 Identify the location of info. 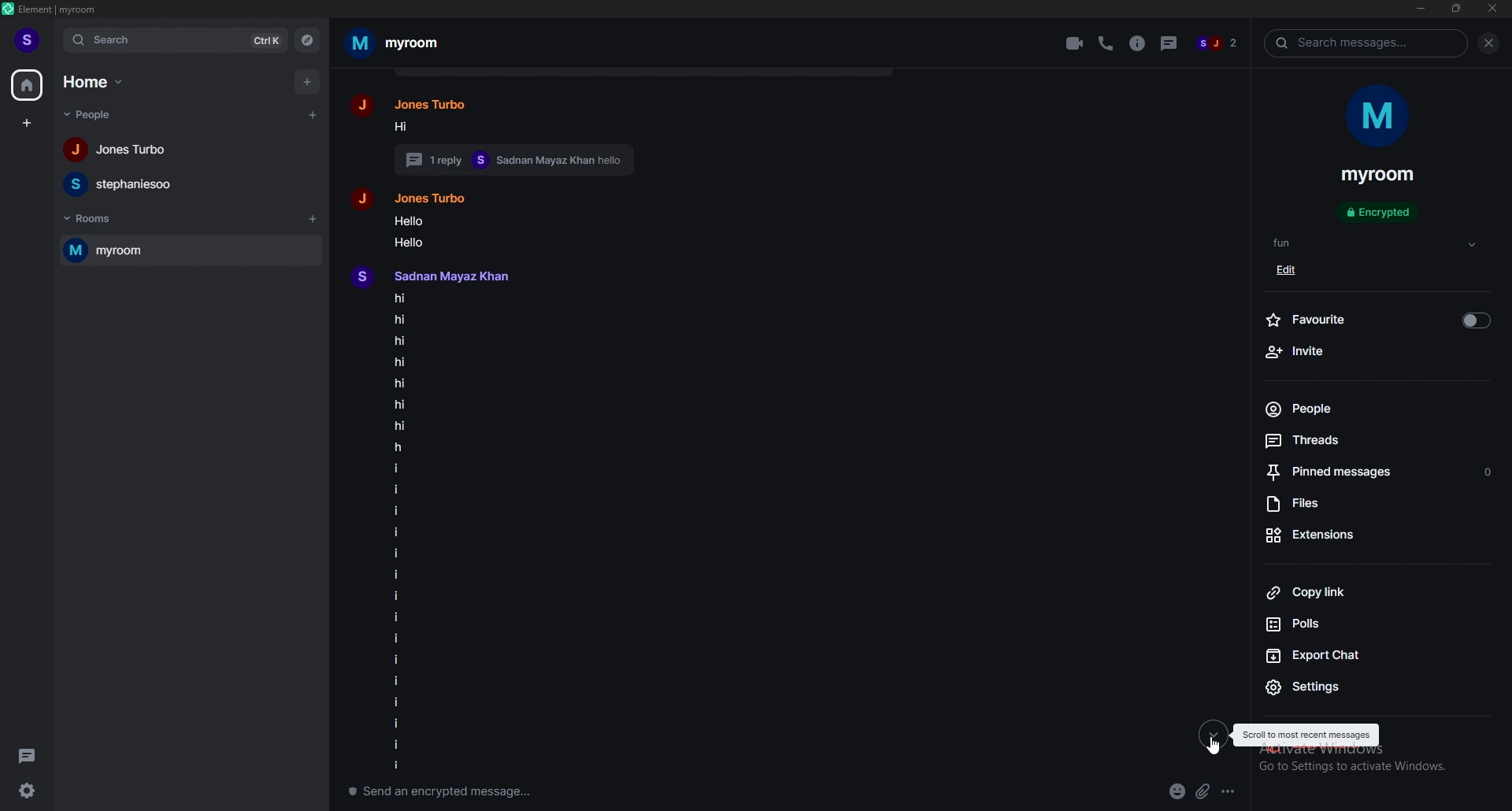
(1136, 43).